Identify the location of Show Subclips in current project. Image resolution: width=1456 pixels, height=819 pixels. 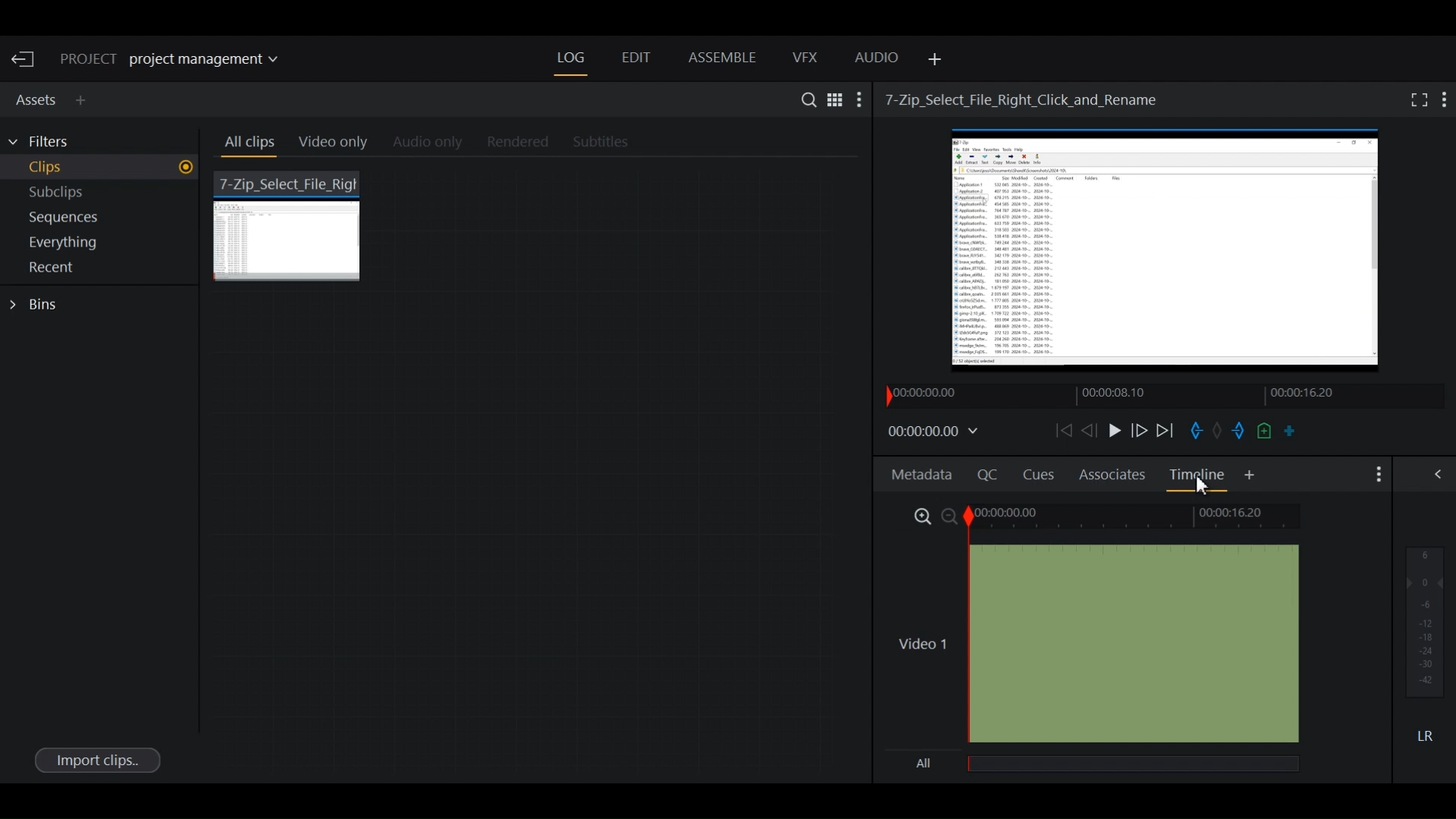
(103, 195).